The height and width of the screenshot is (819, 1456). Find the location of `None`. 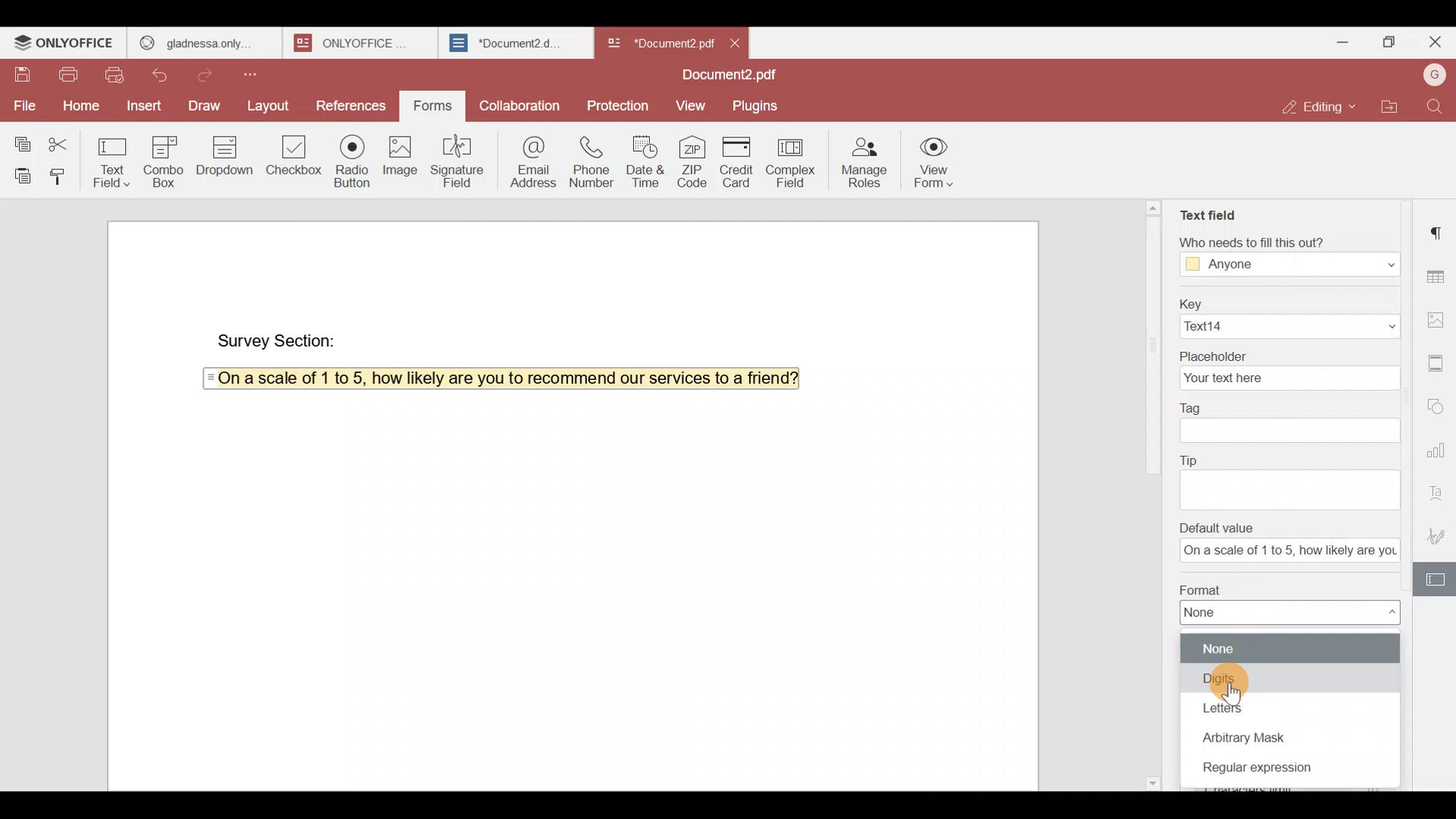

None is located at coordinates (1289, 646).